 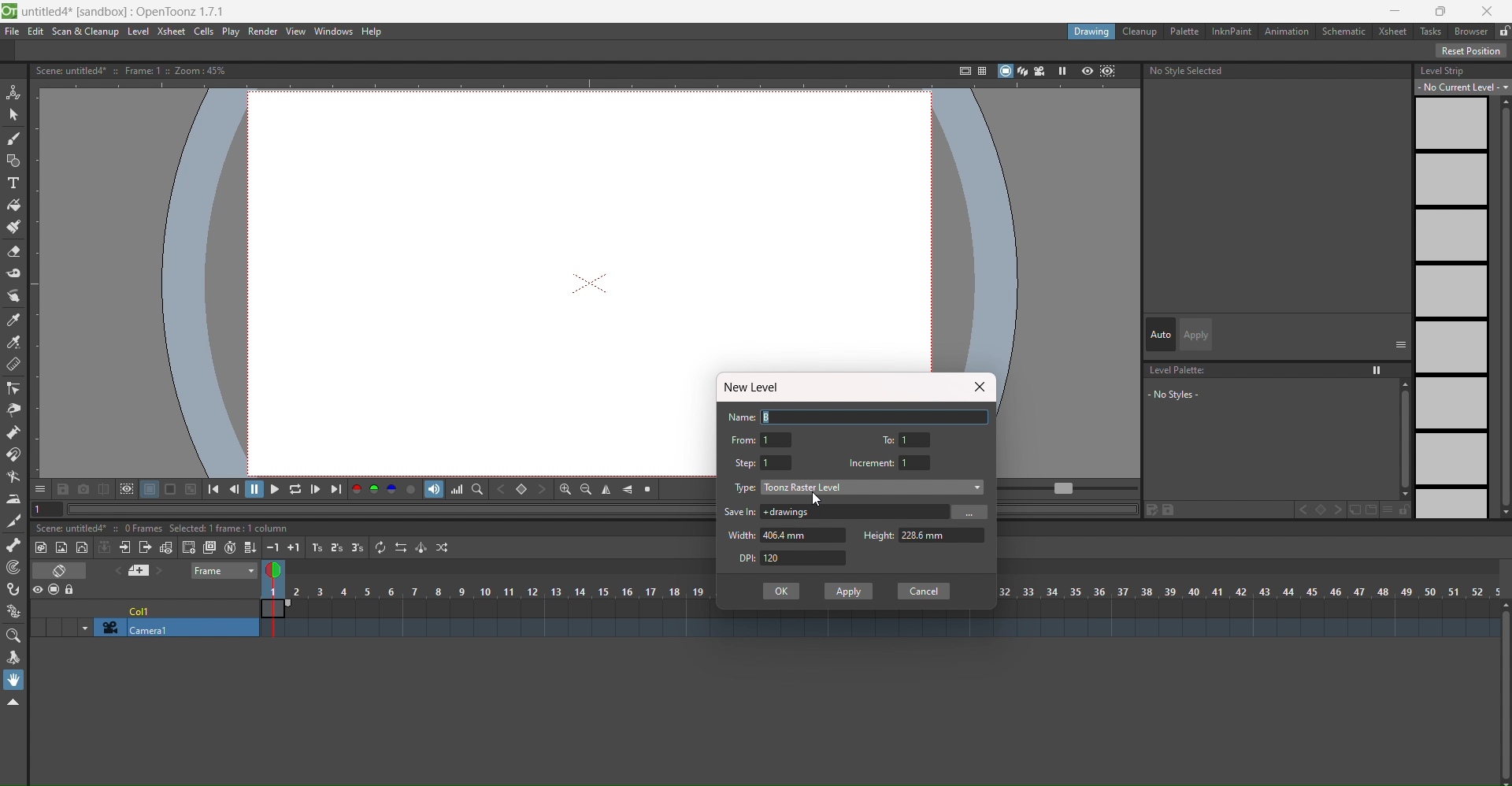 What do you see at coordinates (237, 488) in the screenshot?
I see `previous frame` at bounding box center [237, 488].